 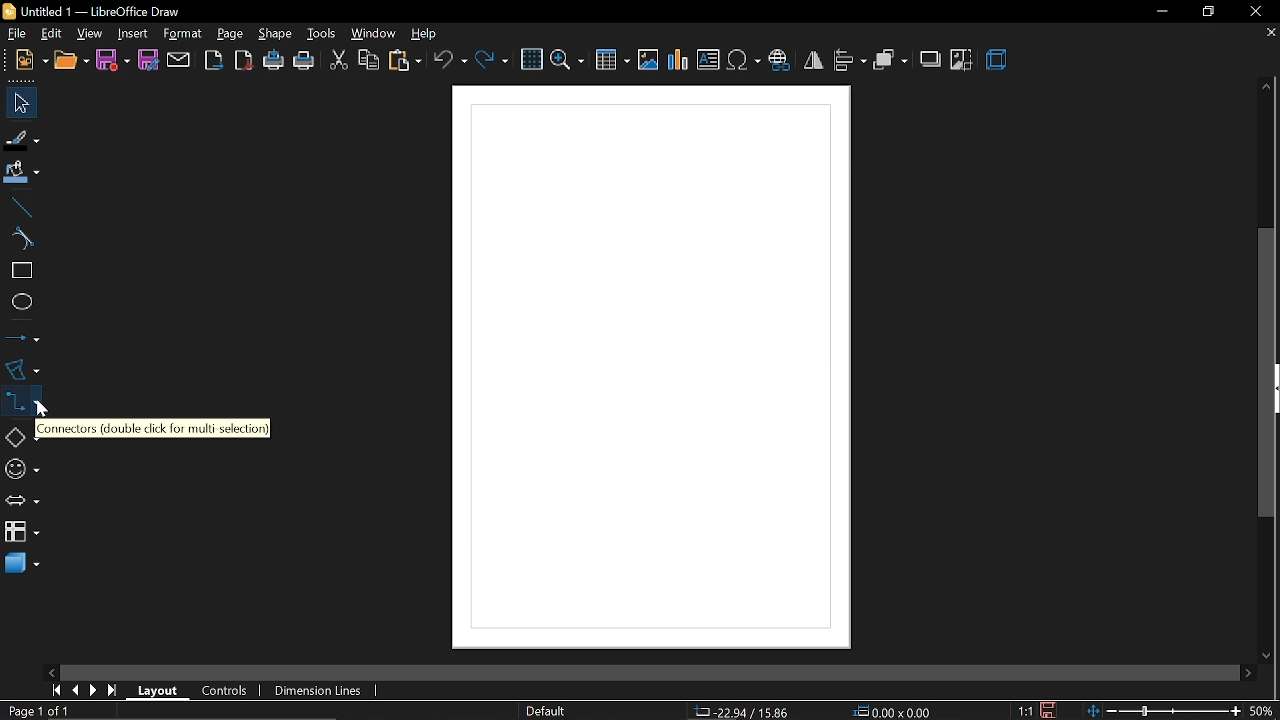 What do you see at coordinates (274, 62) in the screenshot?
I see `print directly` at bounding box center [274, 62].